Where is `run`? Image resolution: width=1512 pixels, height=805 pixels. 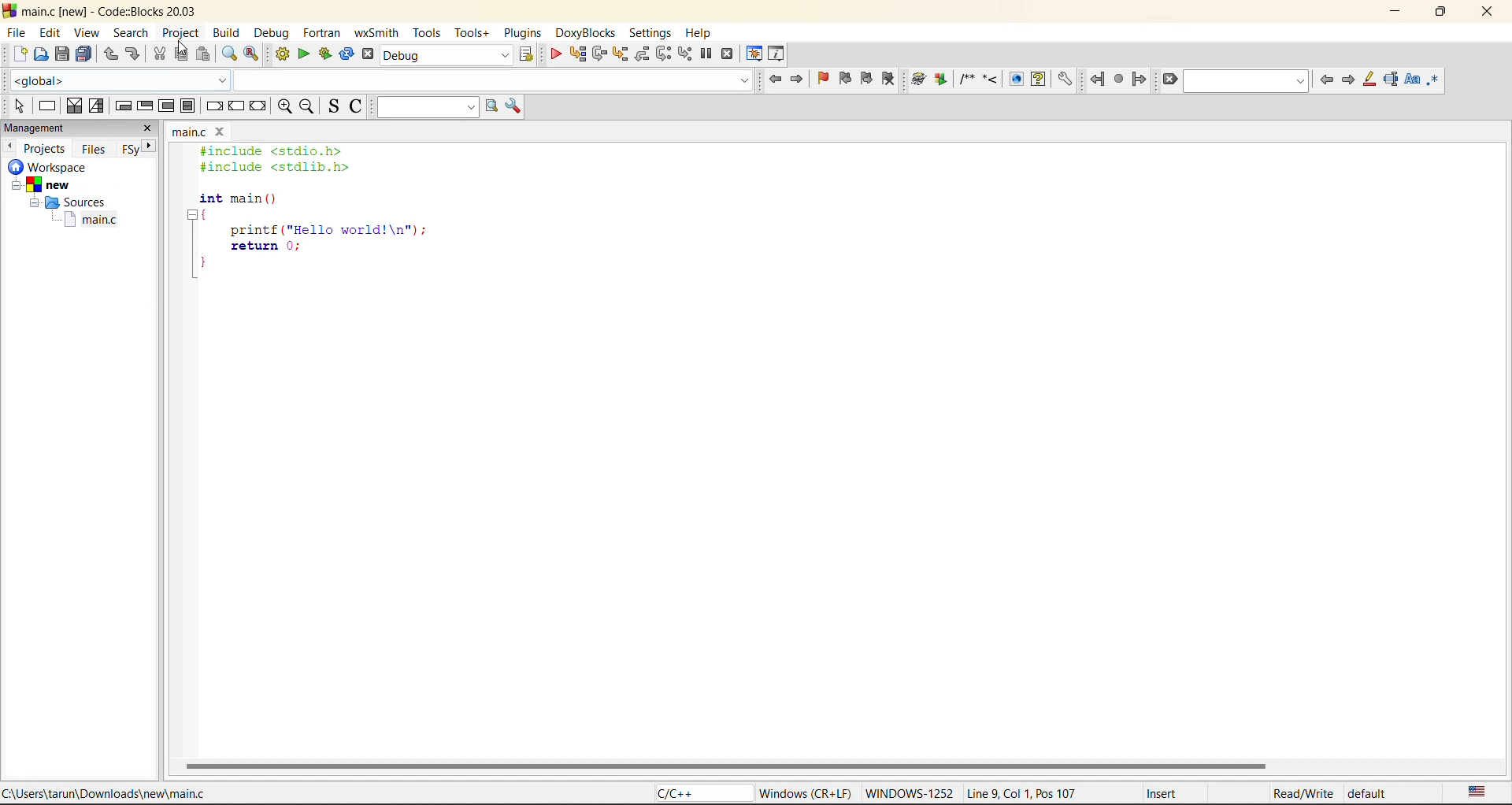 run is located at coordinates (302, 56).